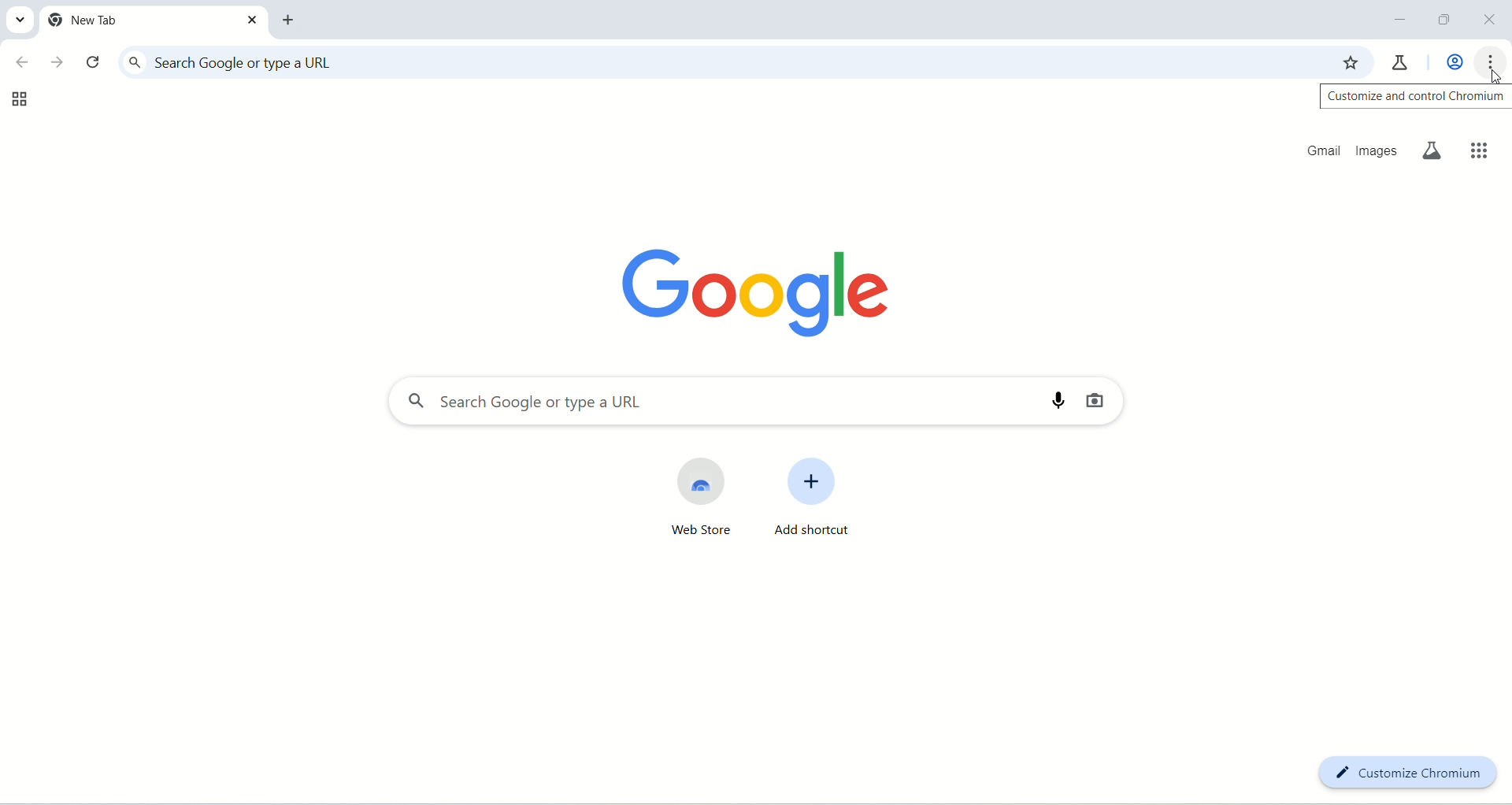 This screenshot has width=1512, height=805. Describe the element at coordinates (1103, 402) in the screenshot. I see `search by camera` at that location.